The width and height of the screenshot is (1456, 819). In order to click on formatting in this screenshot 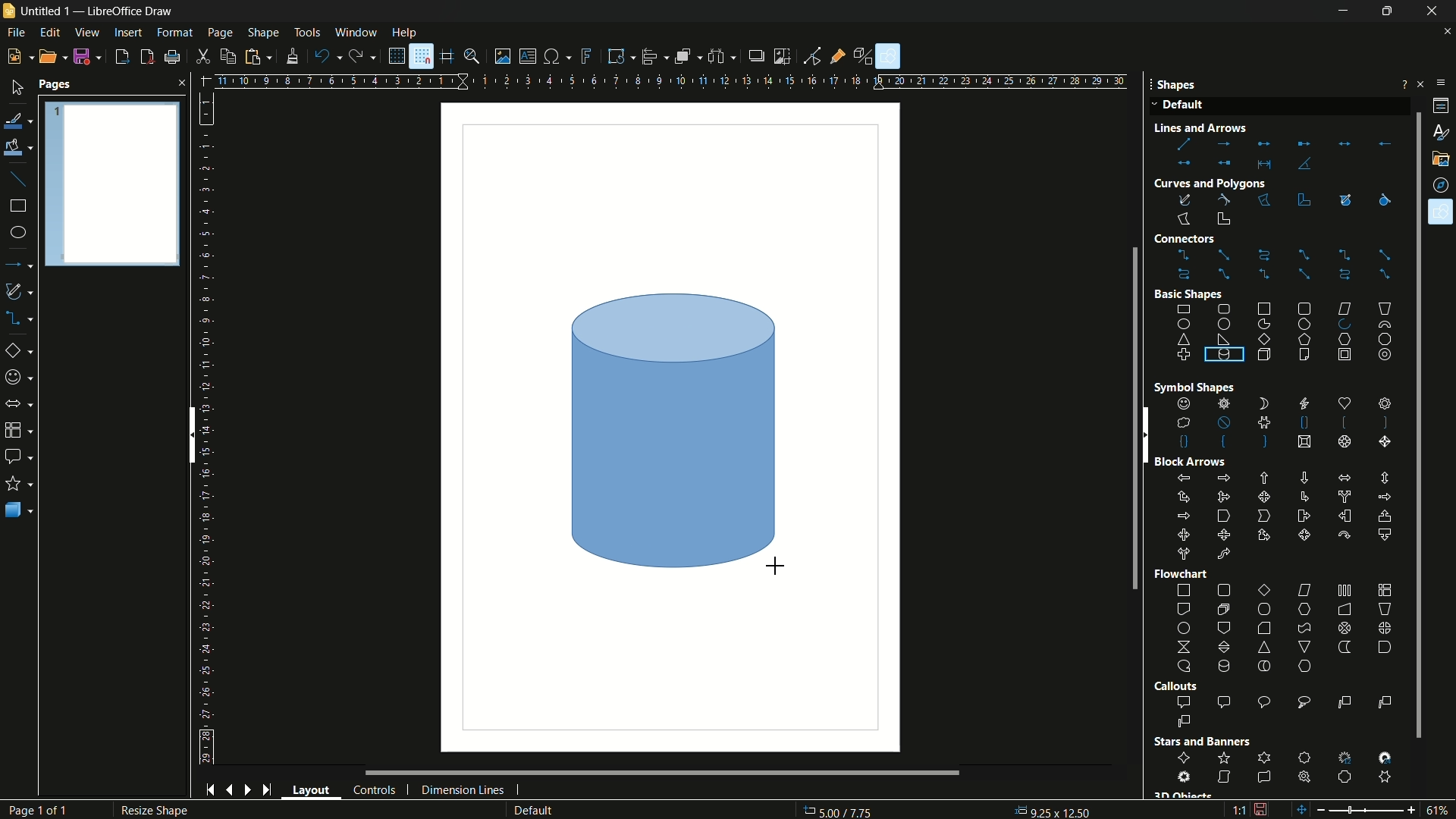, I will do `click(294, 56)`.